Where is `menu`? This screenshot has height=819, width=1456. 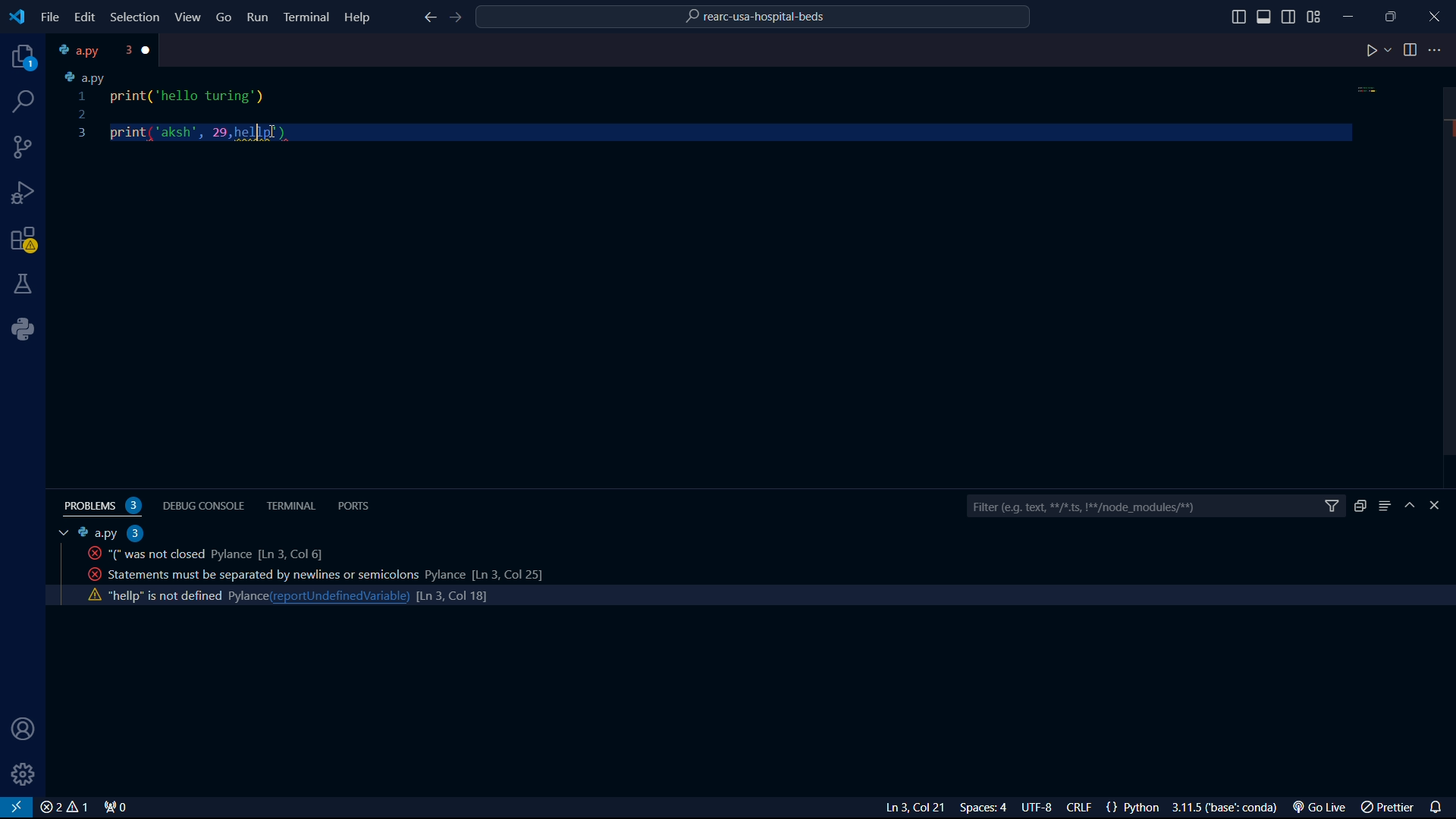 menu is located at coordinates (1385, 506).